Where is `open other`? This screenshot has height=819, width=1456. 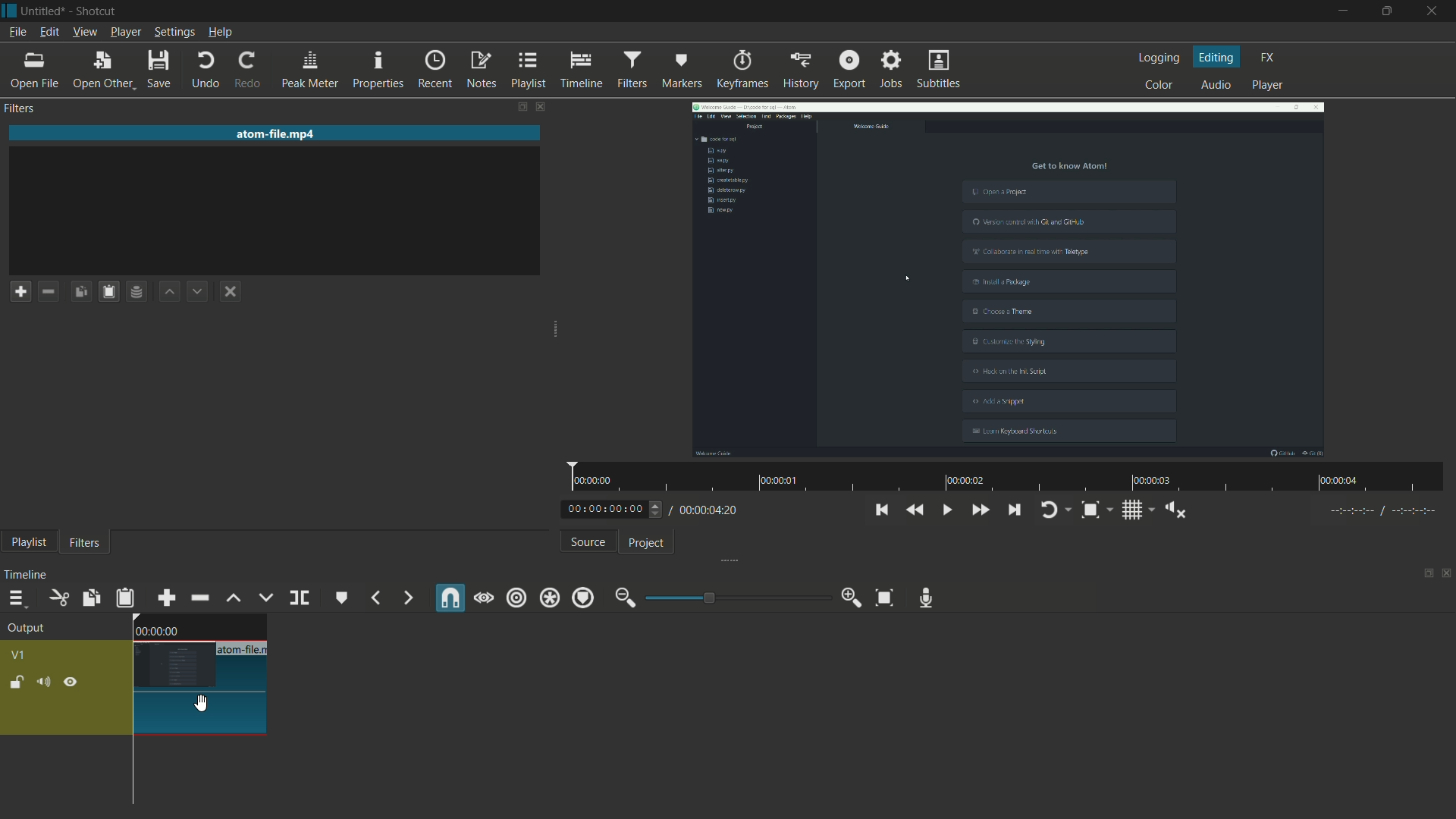 open other is located at coordinates (102, 70).